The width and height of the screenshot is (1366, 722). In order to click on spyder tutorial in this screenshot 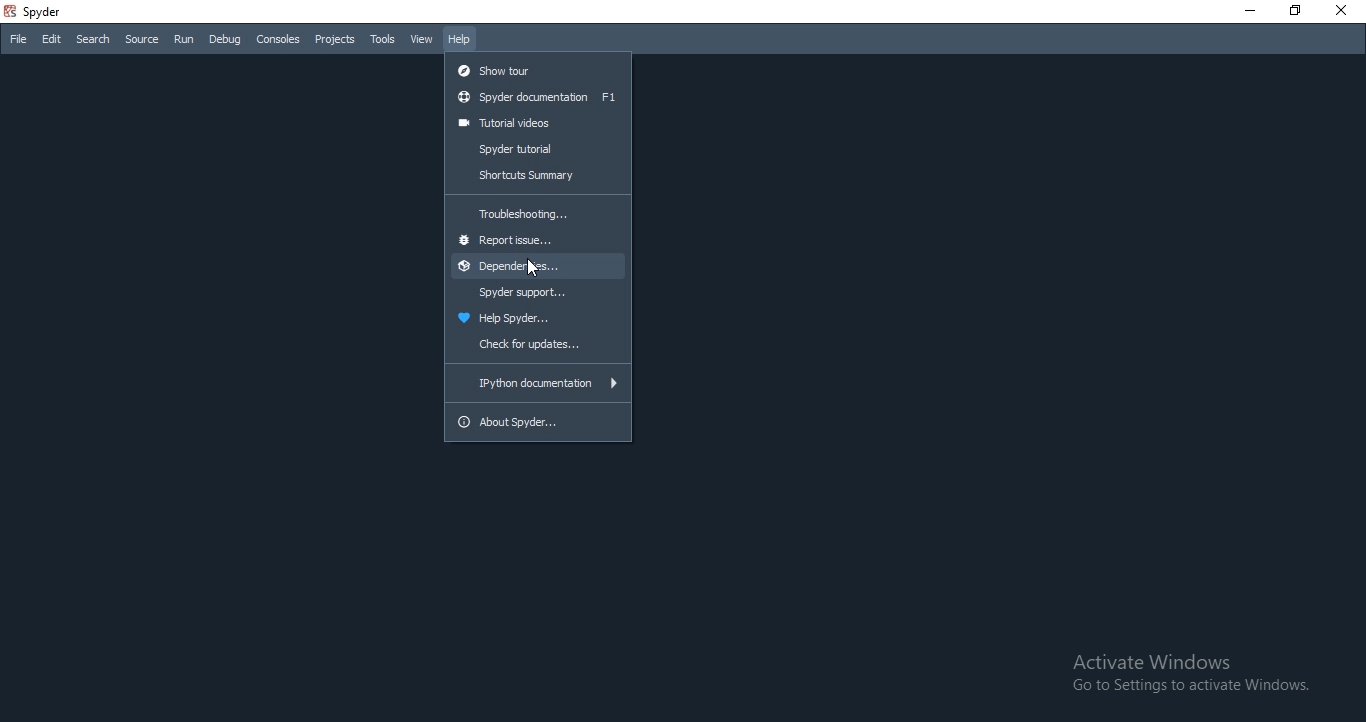, I will do `click(537, 149)`.